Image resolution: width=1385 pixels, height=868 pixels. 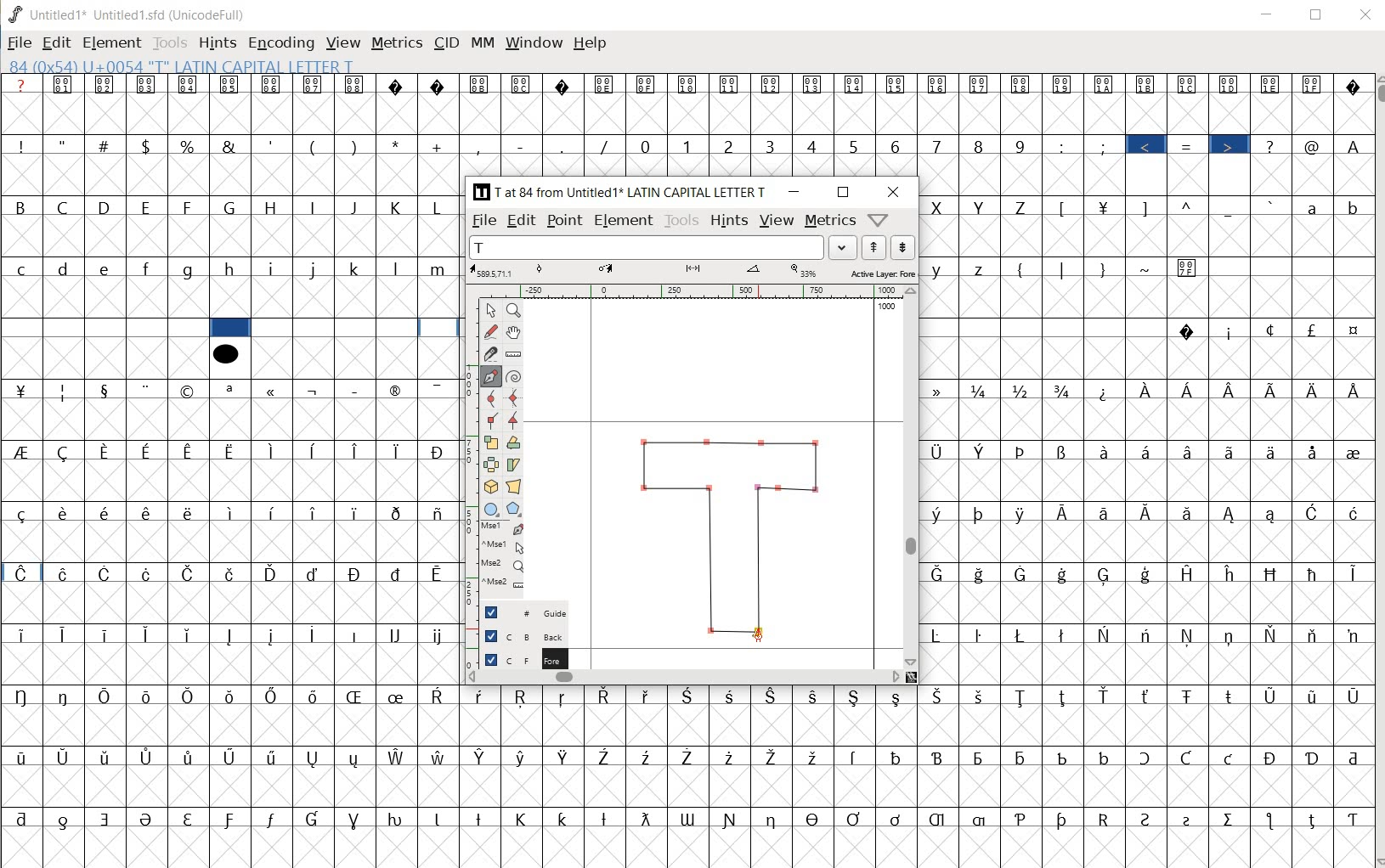 What do you see at coordinates (1314, 206) in the screenshot?
I see `a` at bounding box center [1314, 206].